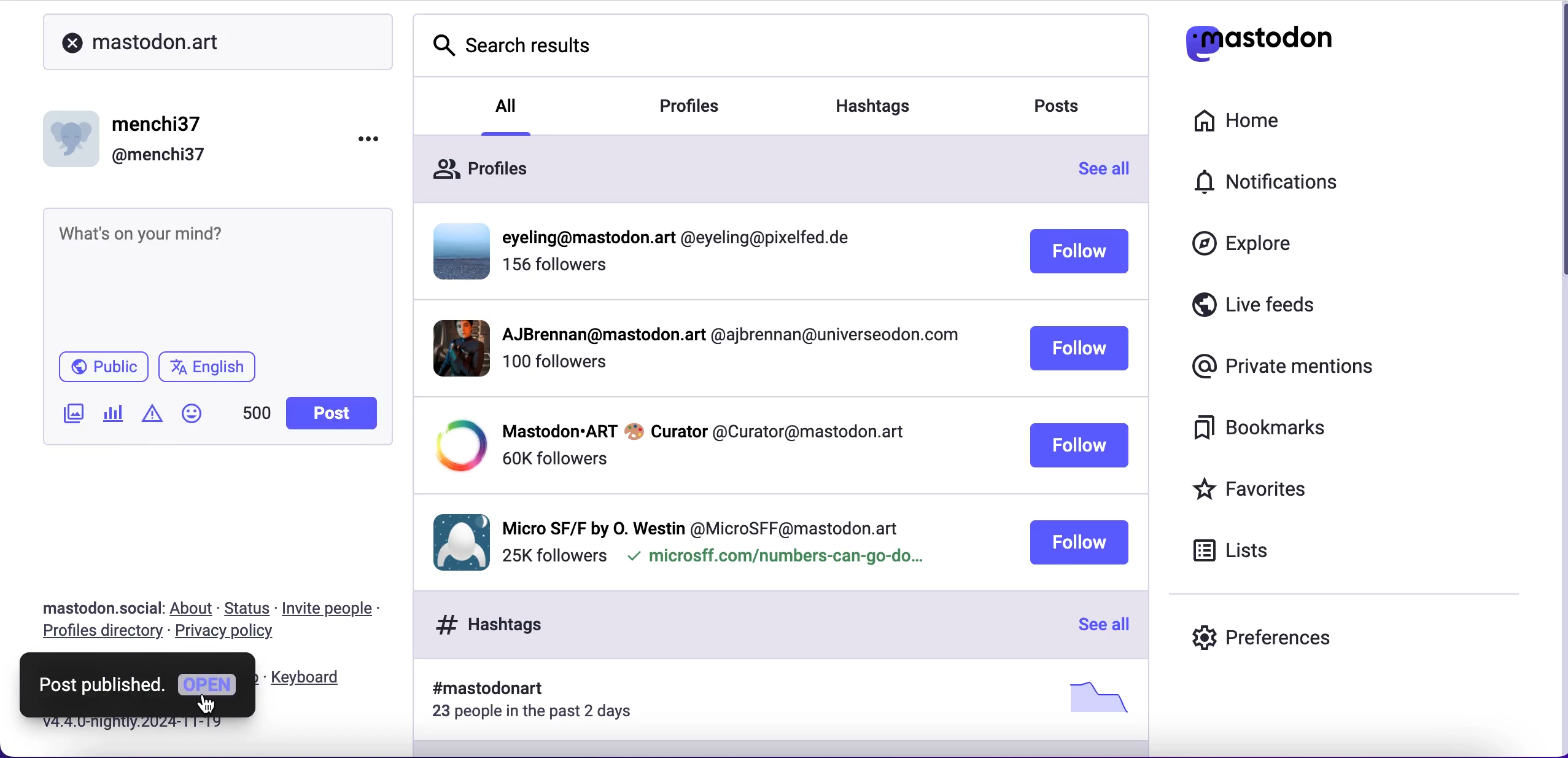  I want to click on hashtag, so click(480, 689).